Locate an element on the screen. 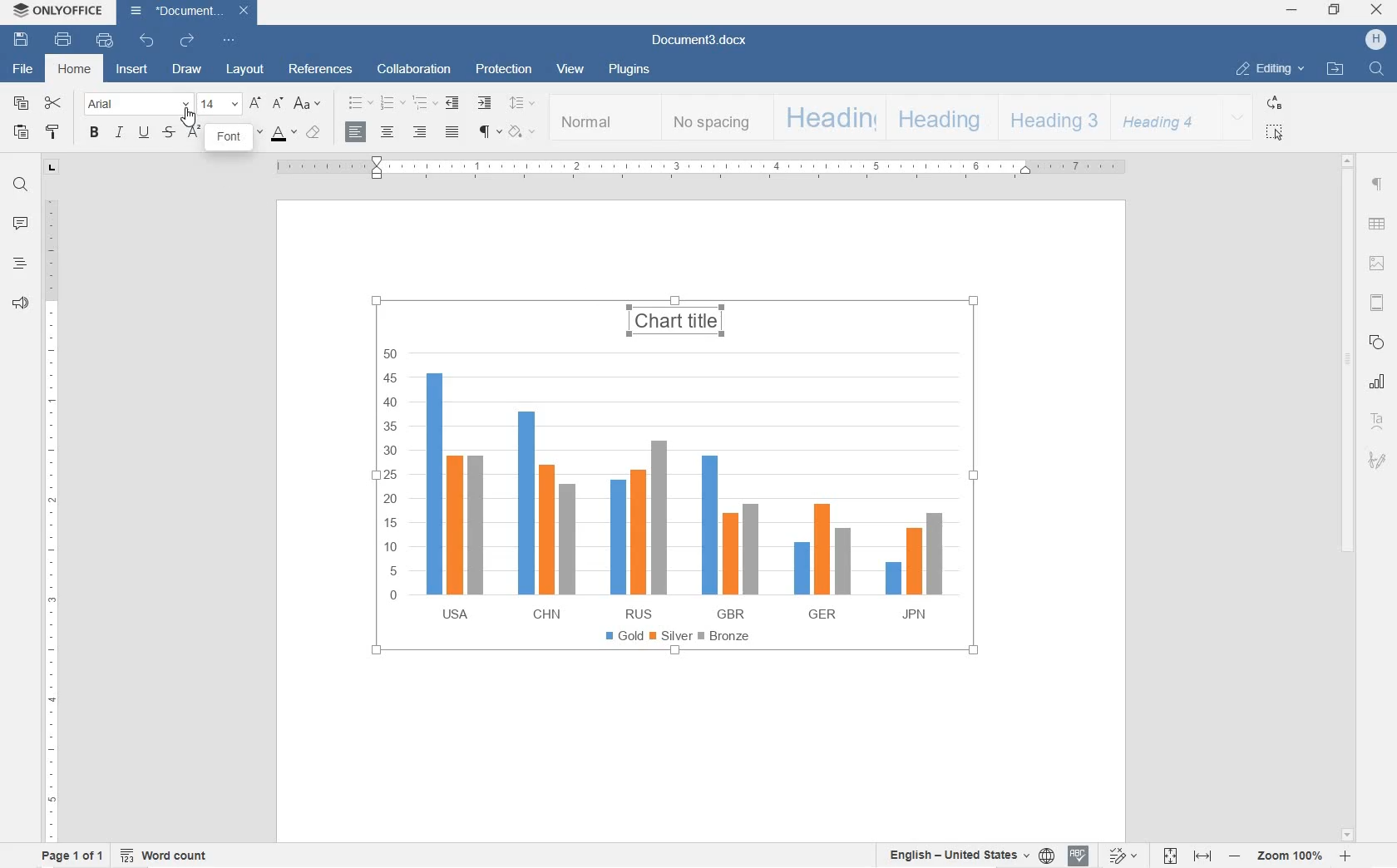  SHAPE is located at coordinates (1375, 342).